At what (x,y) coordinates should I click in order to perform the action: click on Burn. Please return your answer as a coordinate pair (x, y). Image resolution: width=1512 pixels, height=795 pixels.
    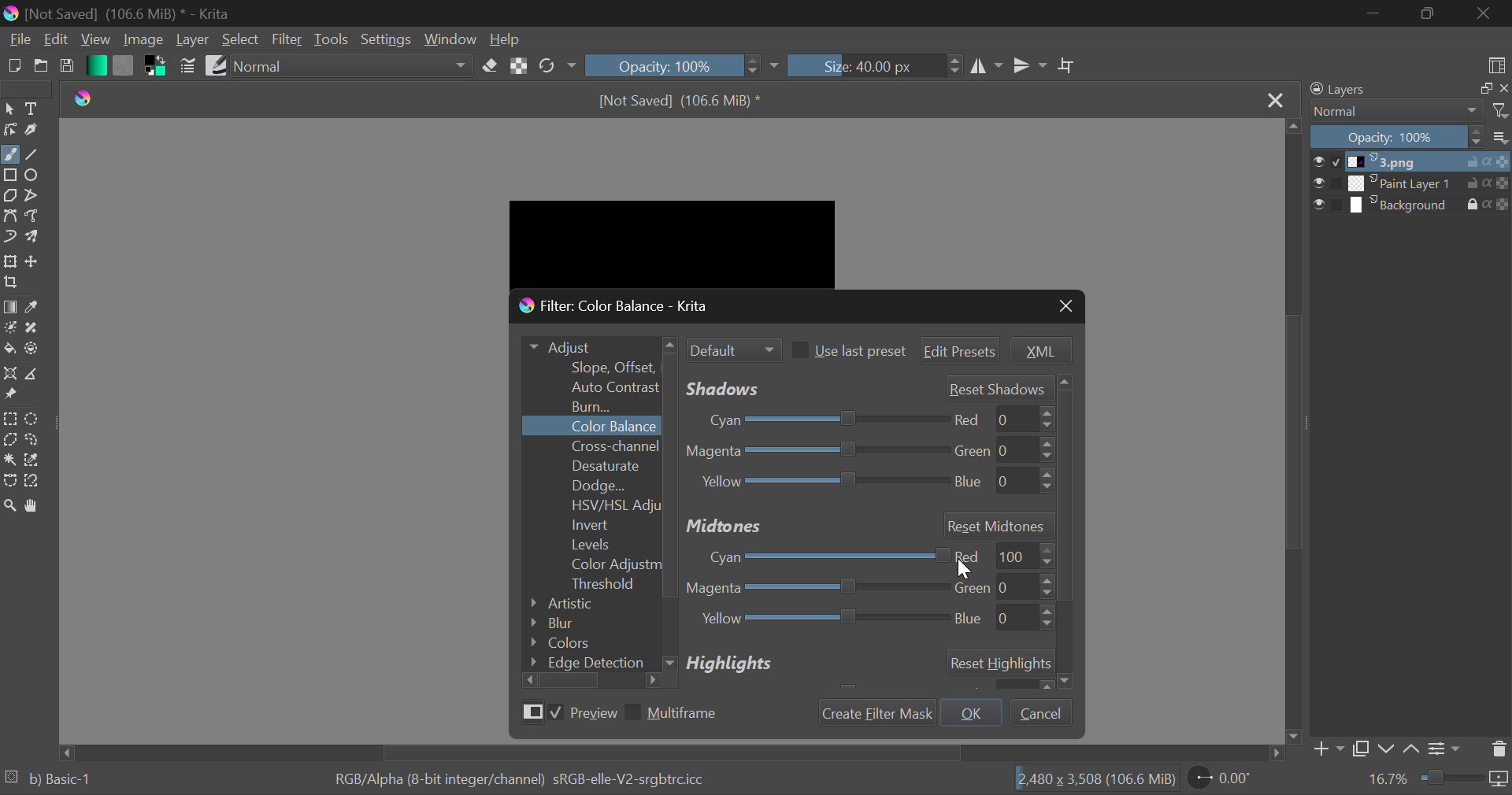
    Looking at the image, I should click on (594, 405).